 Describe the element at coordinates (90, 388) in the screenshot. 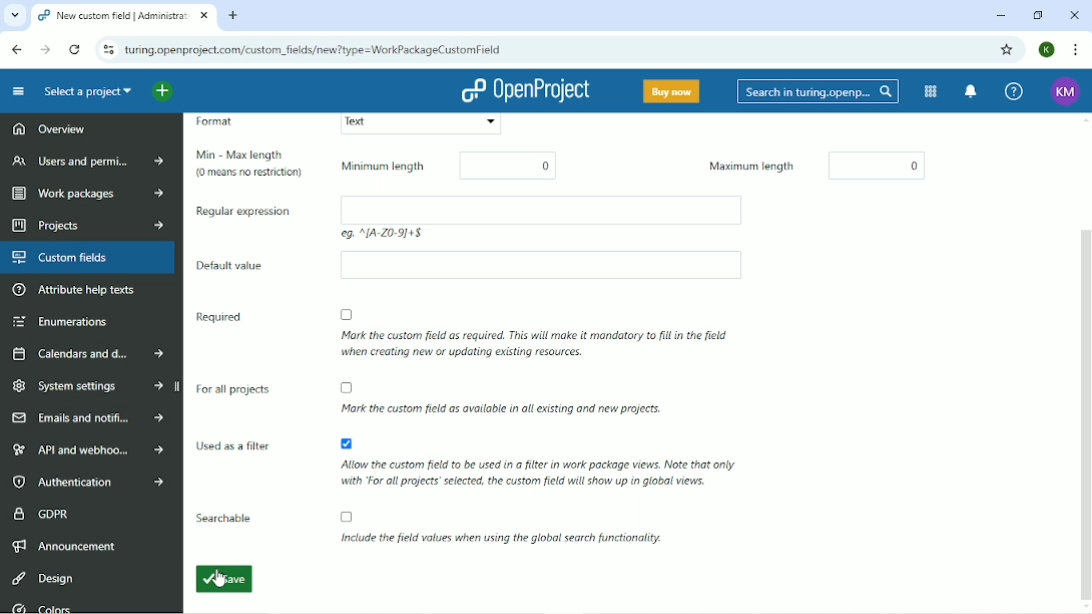

I see `System settings` at that location.